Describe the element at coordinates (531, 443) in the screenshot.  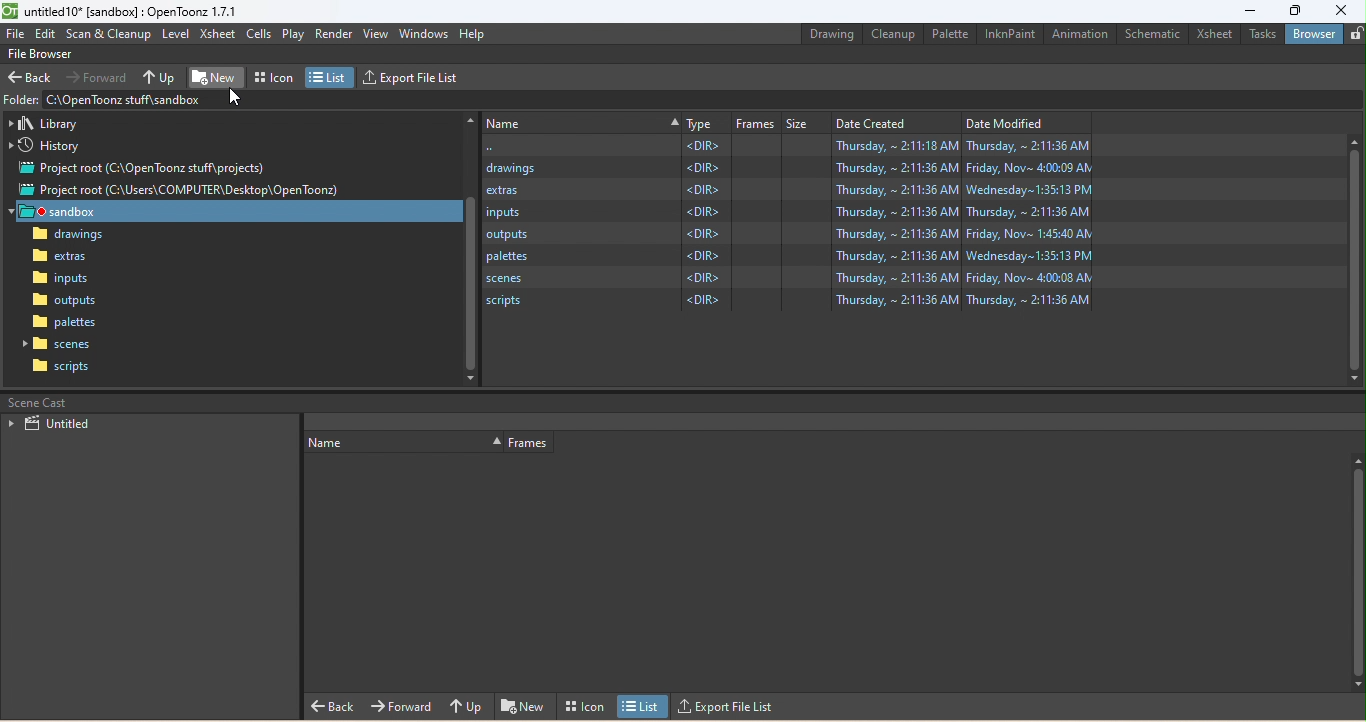
I see `Frames` at that location.